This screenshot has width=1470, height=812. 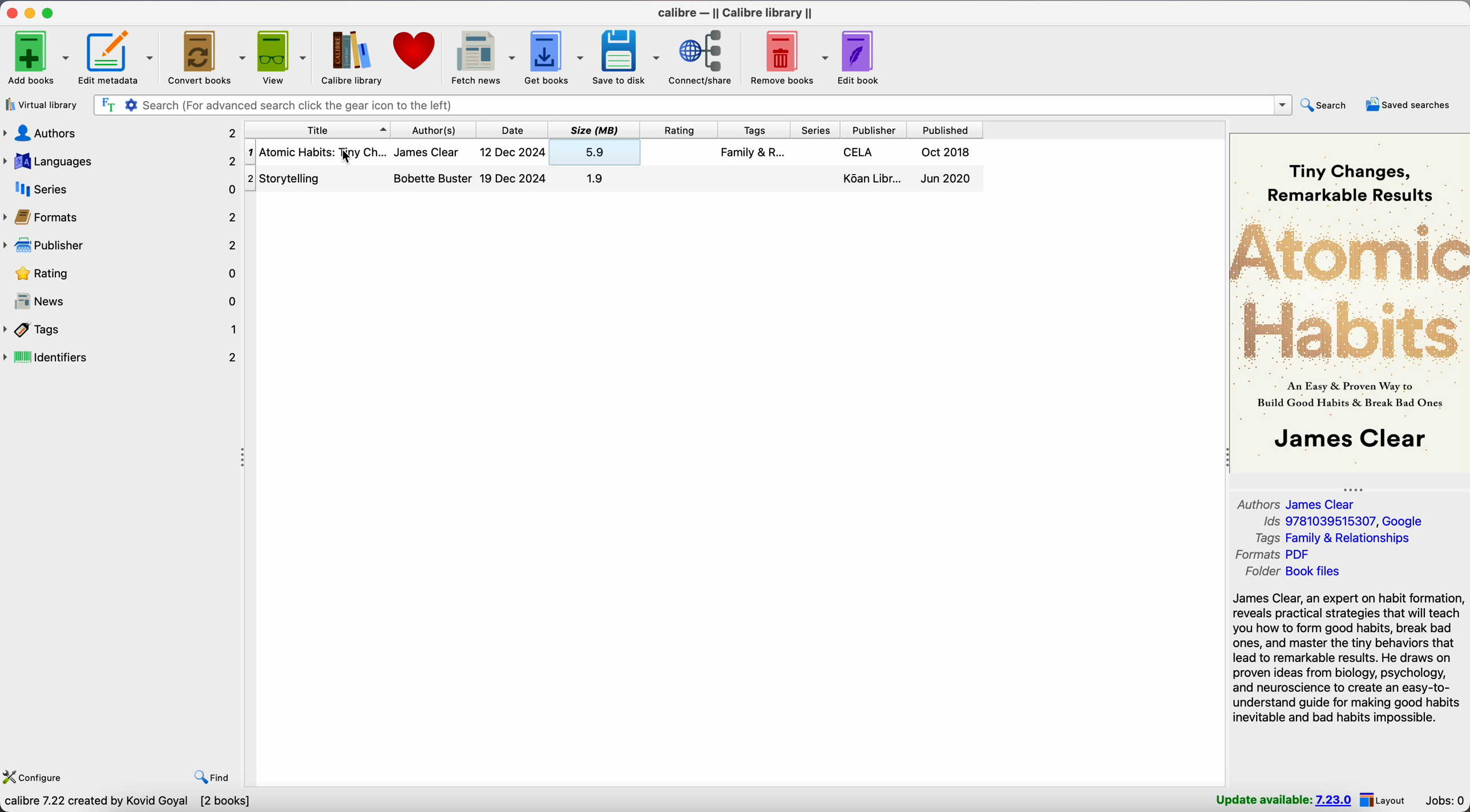 What do you see at coordinates (317, 129) in the screenshot?
I see `title` at bounding box center [317, 129].